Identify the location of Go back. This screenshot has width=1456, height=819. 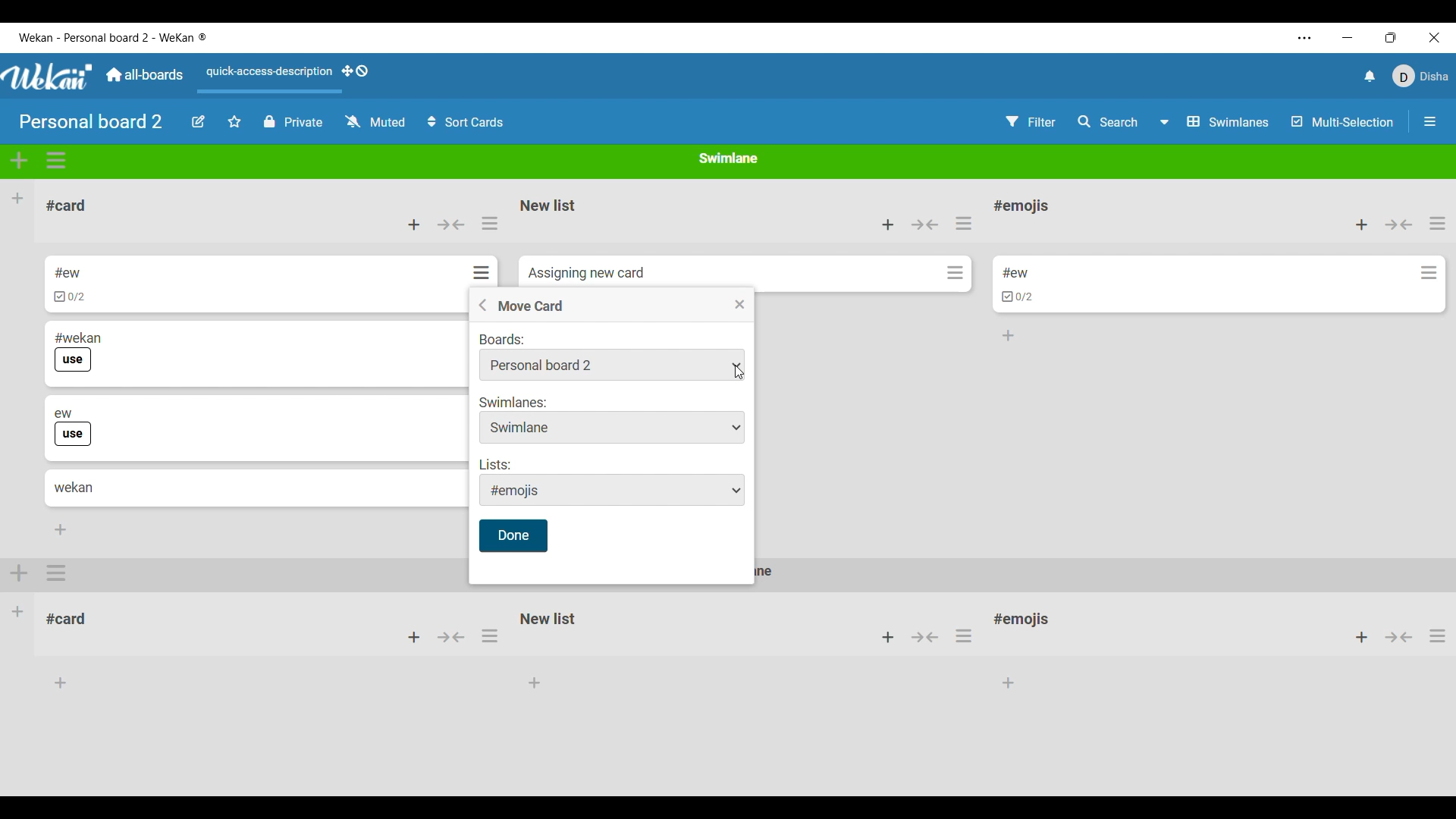
(482, 305).